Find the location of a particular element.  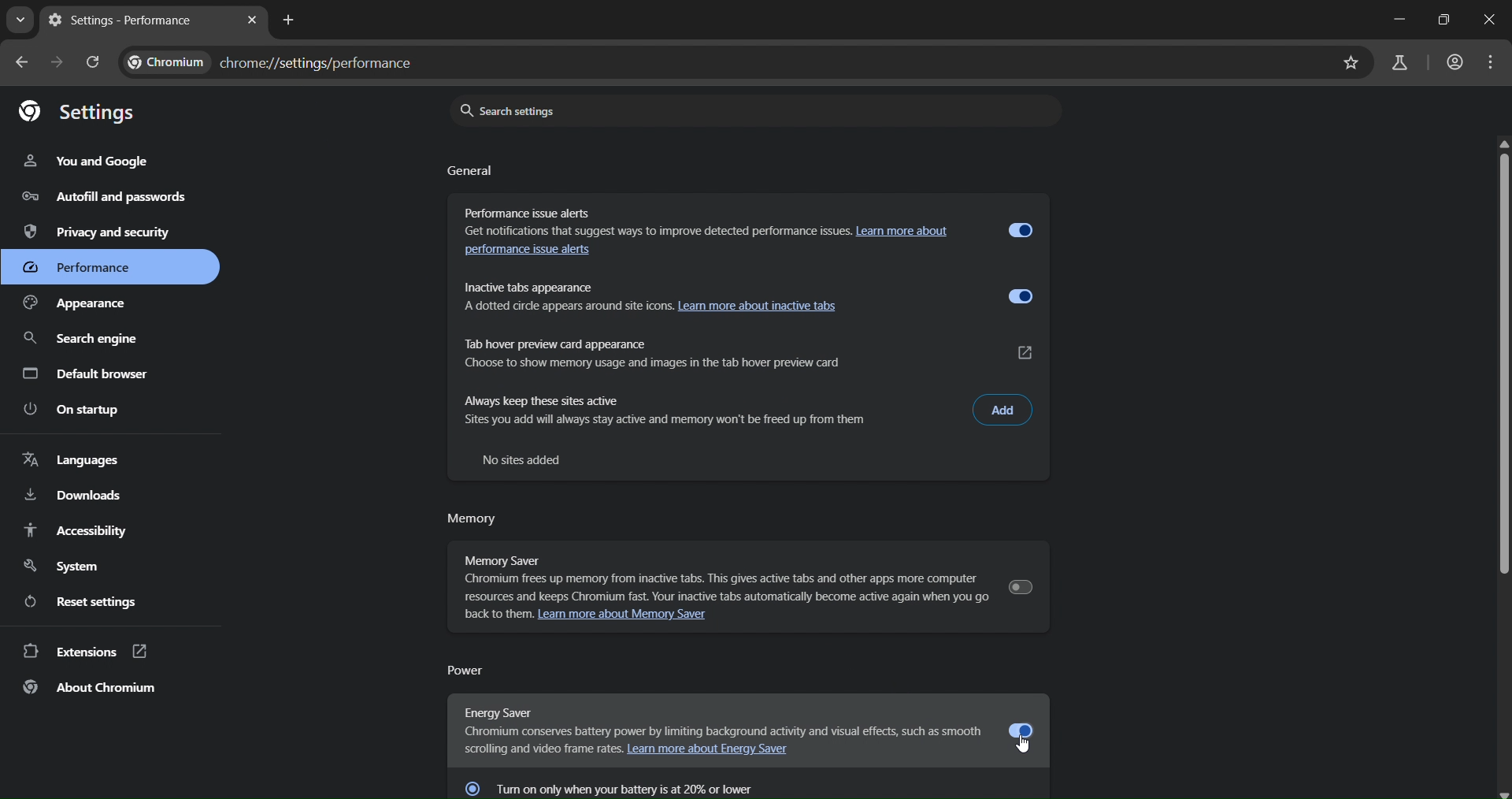

search tabs is located at coordinates (20, 20).